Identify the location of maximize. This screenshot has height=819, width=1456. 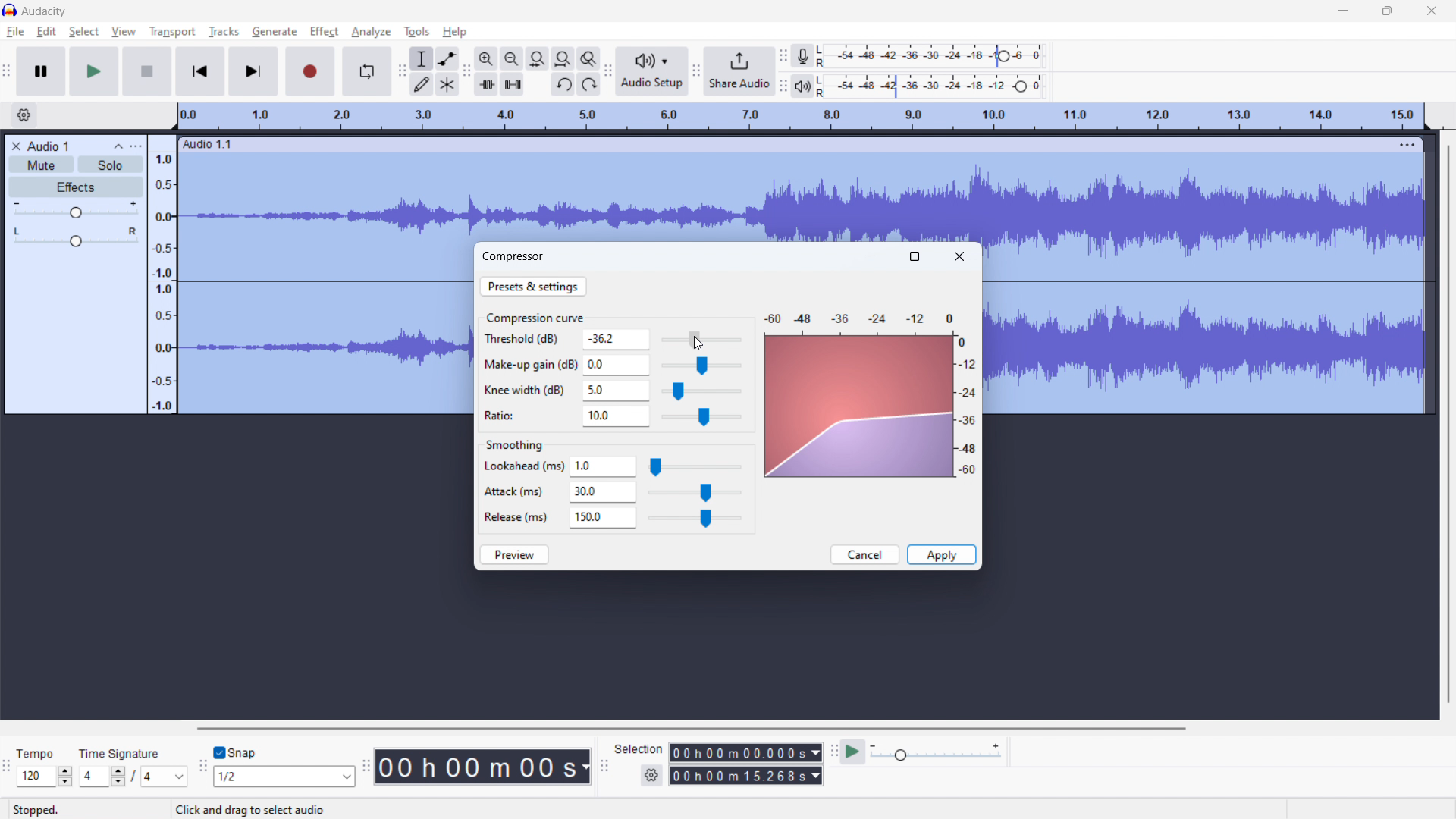
(915, 256).